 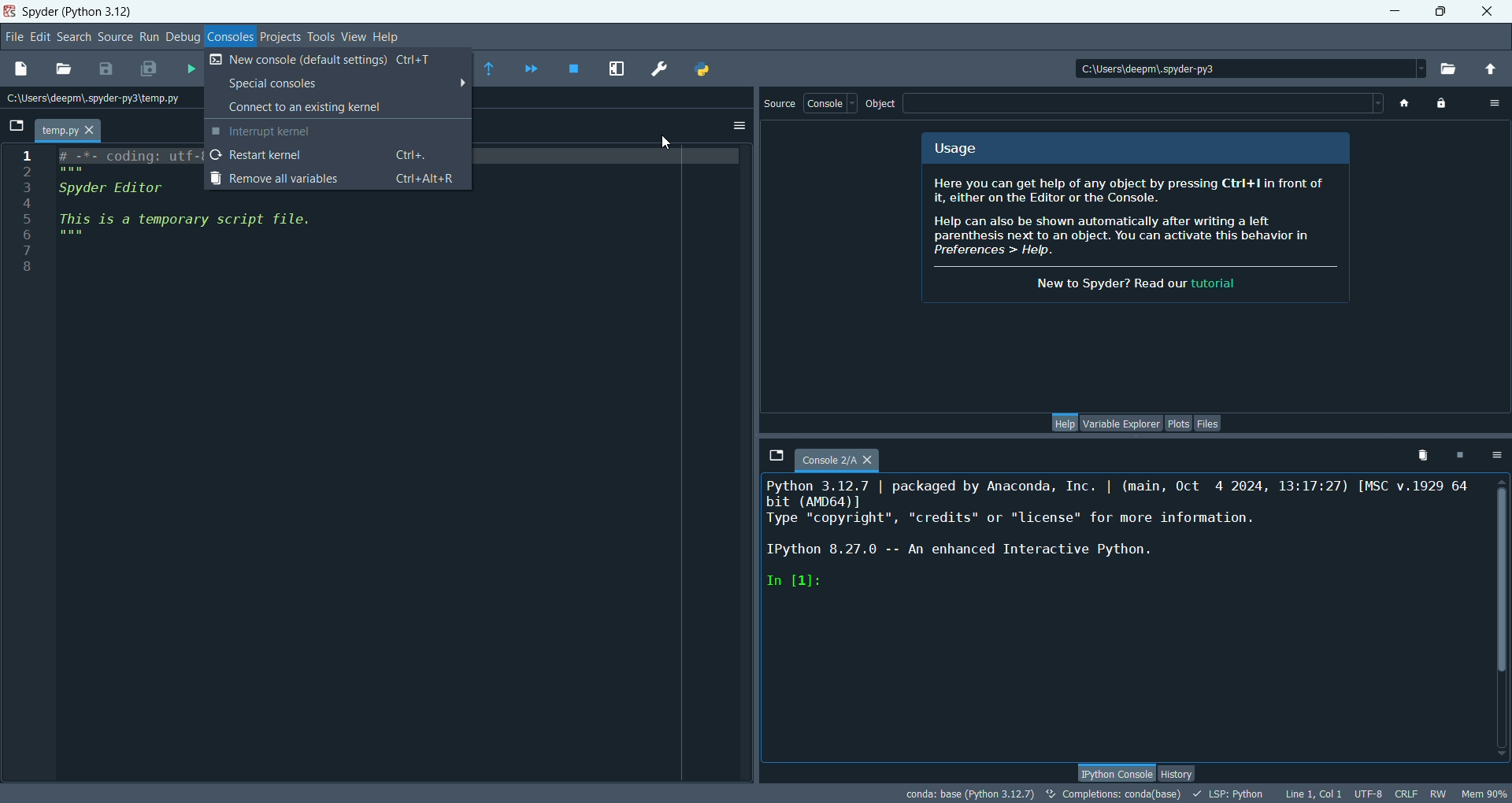 I want to click on vertical scroll bar, so click(x=1503, y=612).